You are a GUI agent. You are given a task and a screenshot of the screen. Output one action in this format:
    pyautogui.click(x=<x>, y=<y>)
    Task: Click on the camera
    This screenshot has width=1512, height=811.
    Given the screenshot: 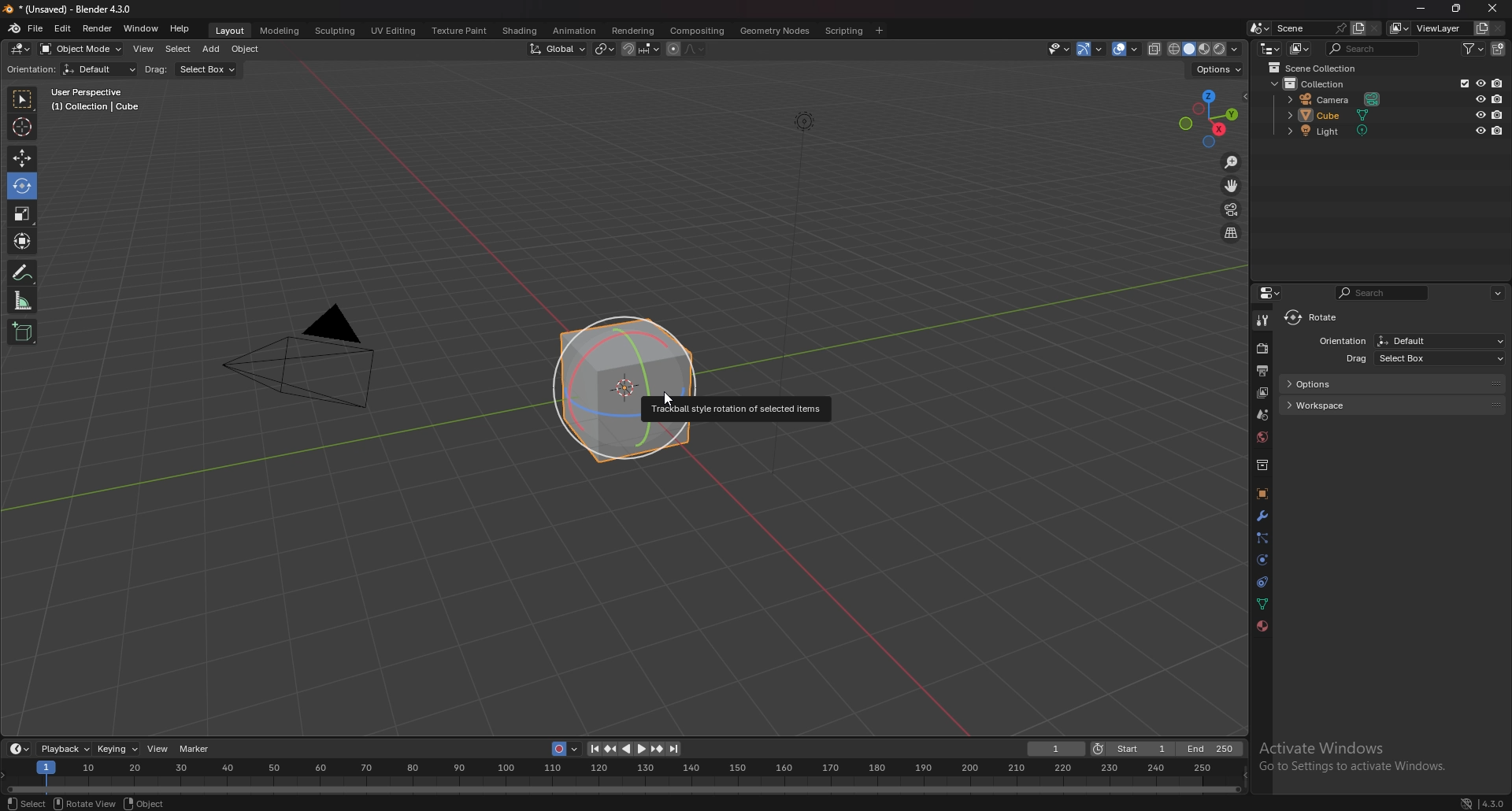 What is the action you would take?
    pyautogui.click(x=1337, y=98)
    